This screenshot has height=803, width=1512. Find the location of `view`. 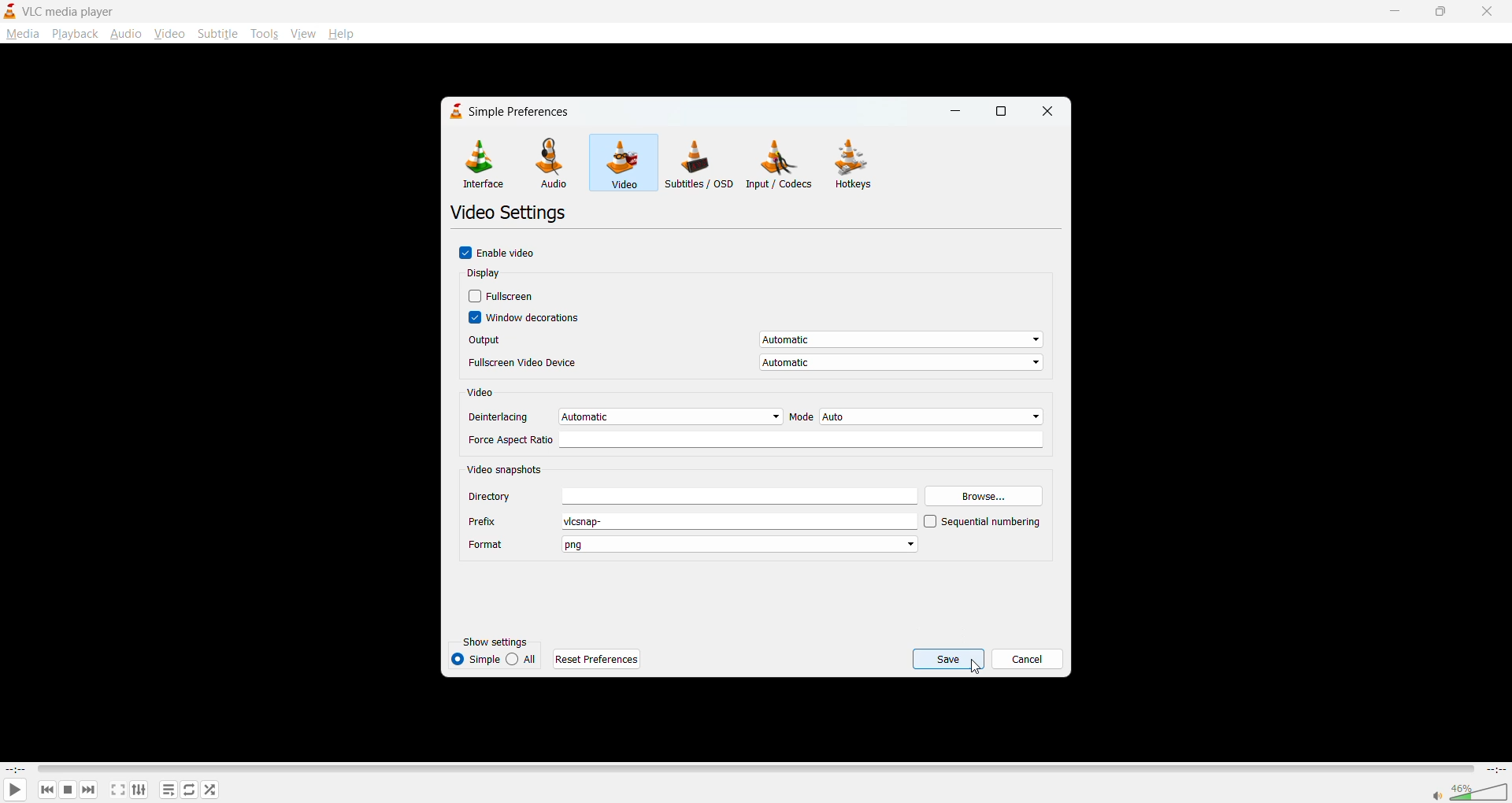

view is located at coordinates (302, 31).